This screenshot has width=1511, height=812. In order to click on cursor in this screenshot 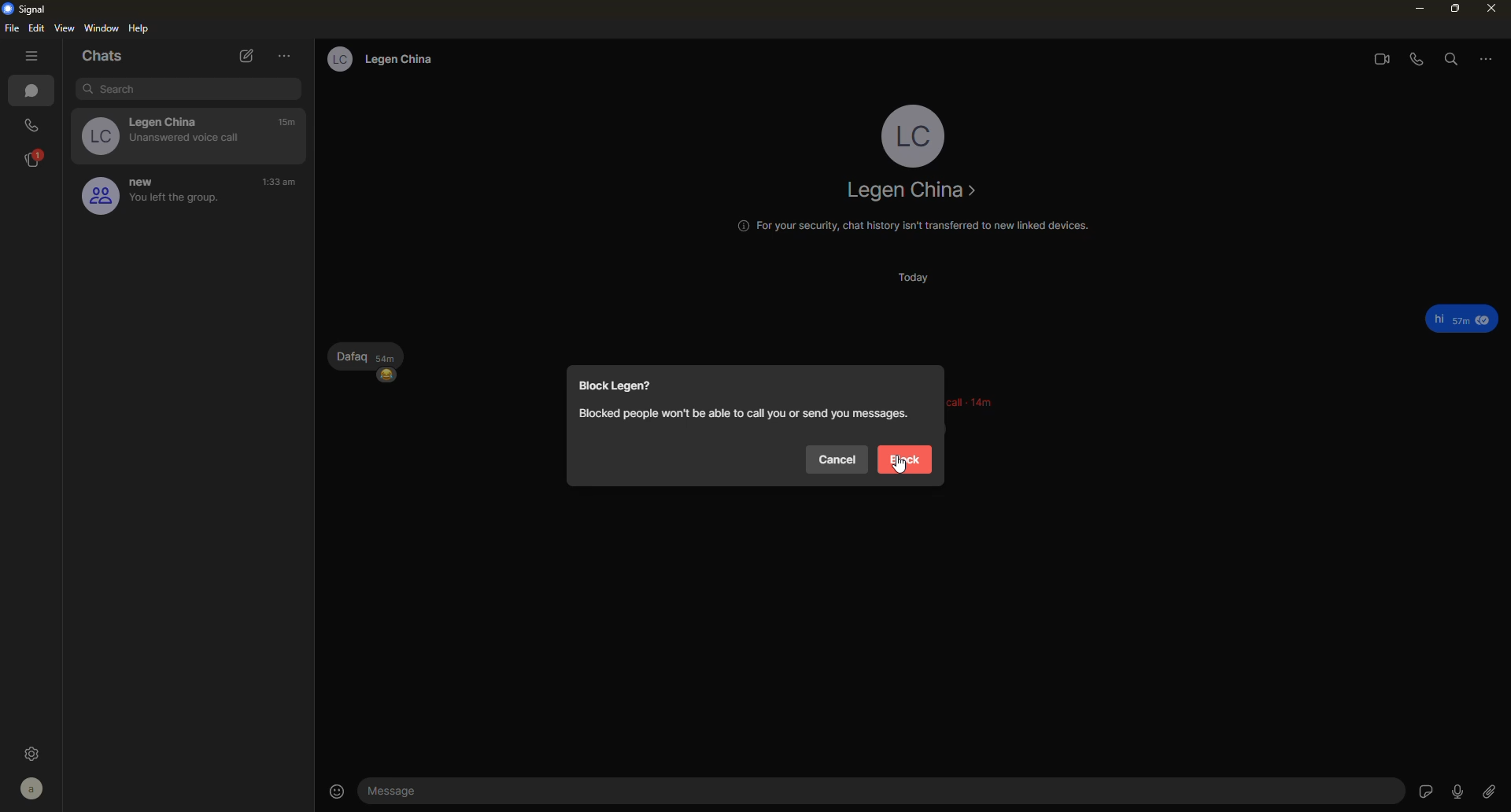, I will do `click(901, 465)`.